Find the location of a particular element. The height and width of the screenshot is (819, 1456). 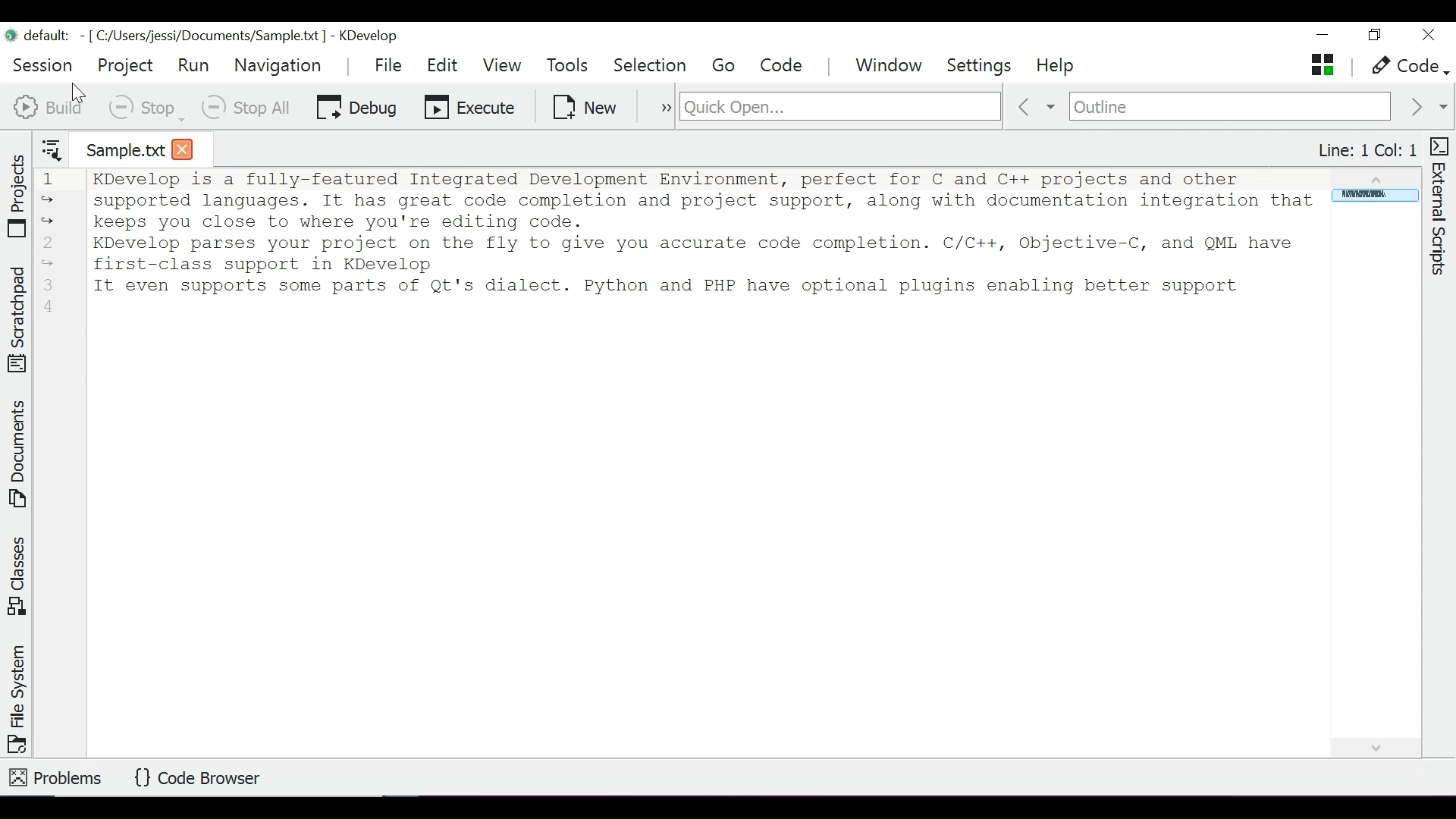

more options is located at coordinates (50, 149).